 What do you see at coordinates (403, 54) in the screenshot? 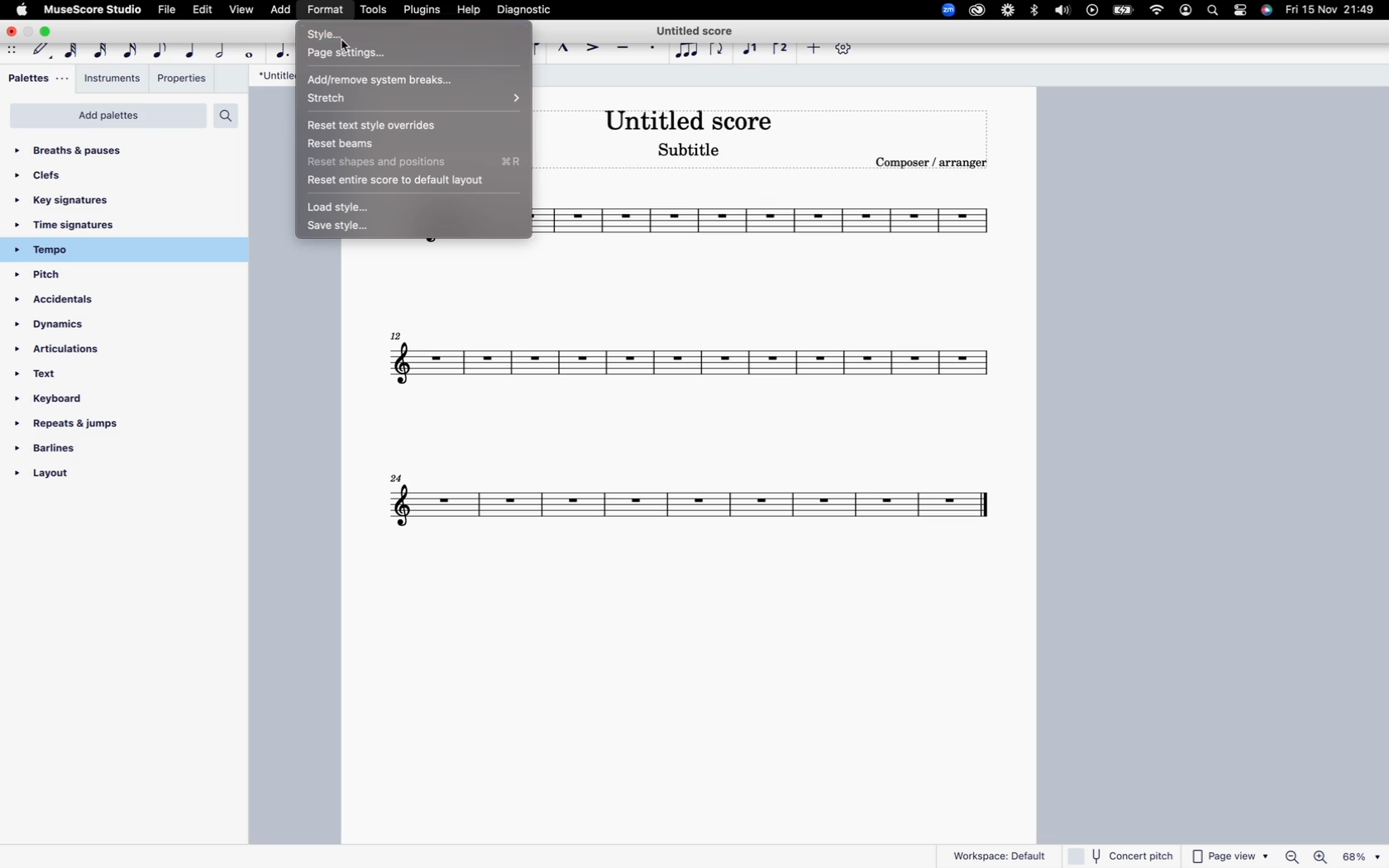
I see `page settings` at bounding box center [403, 54].